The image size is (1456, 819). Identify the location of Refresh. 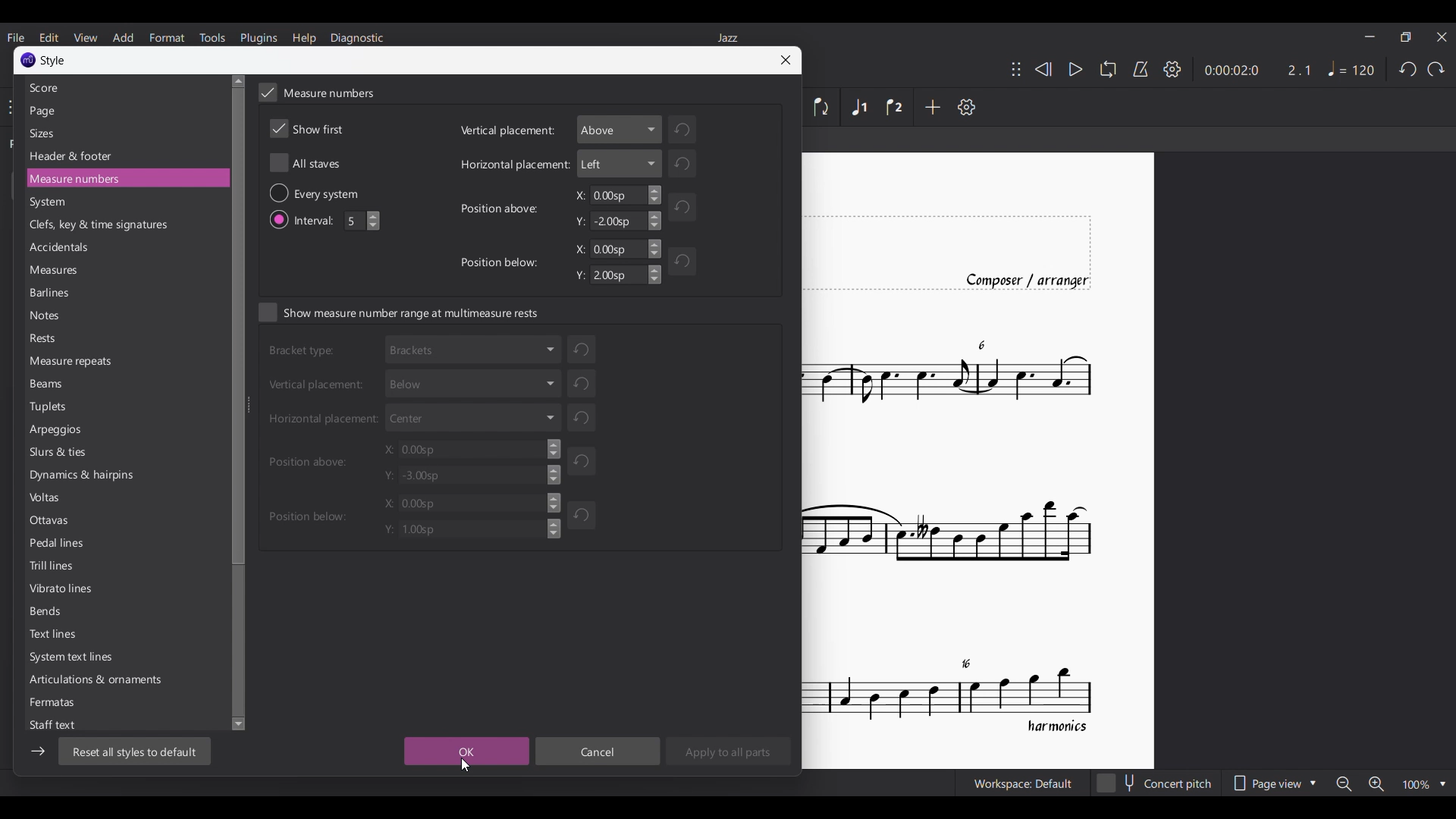
(583, 513).